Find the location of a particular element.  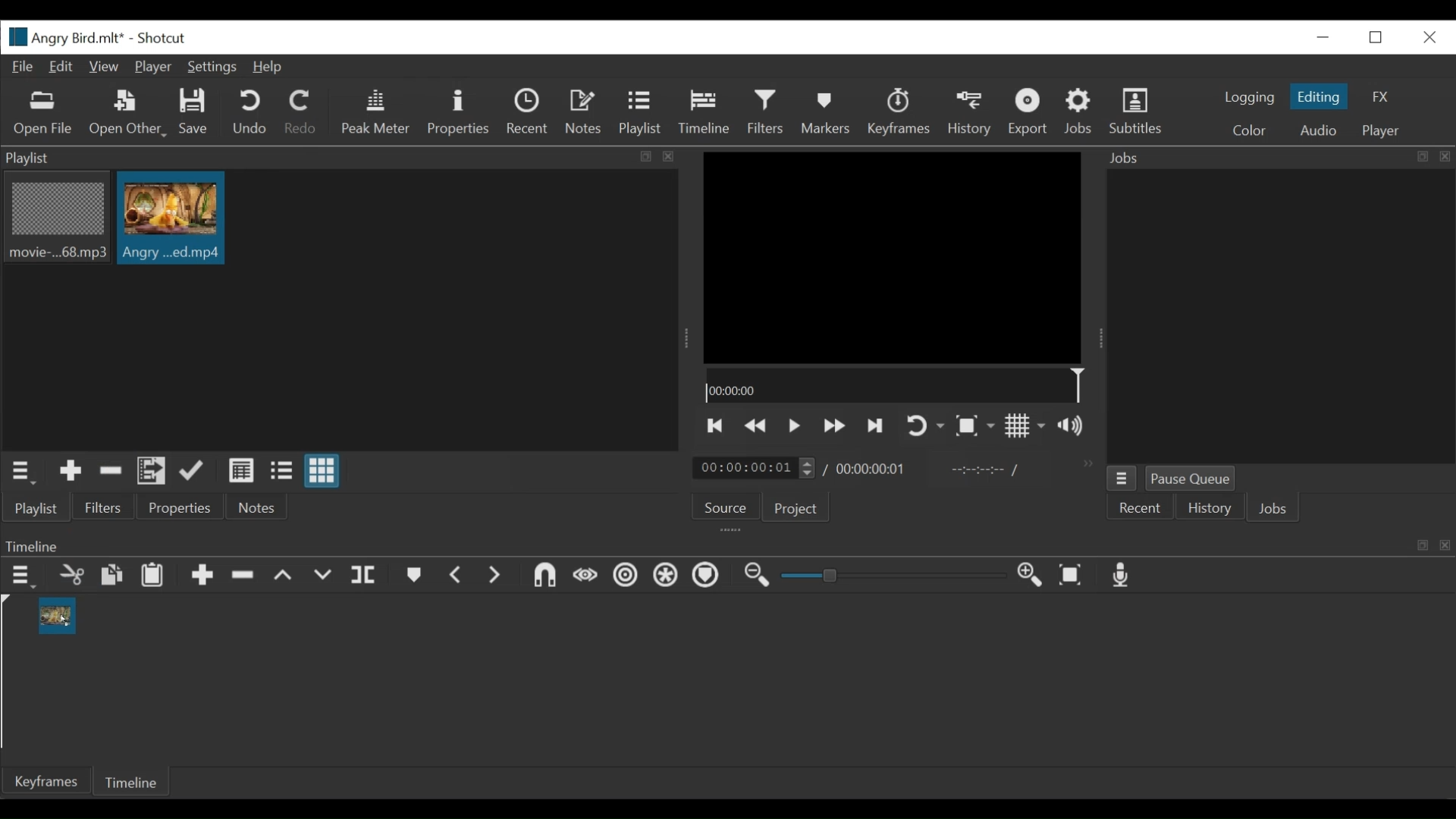

Properties is located at coordinates (178, 507).